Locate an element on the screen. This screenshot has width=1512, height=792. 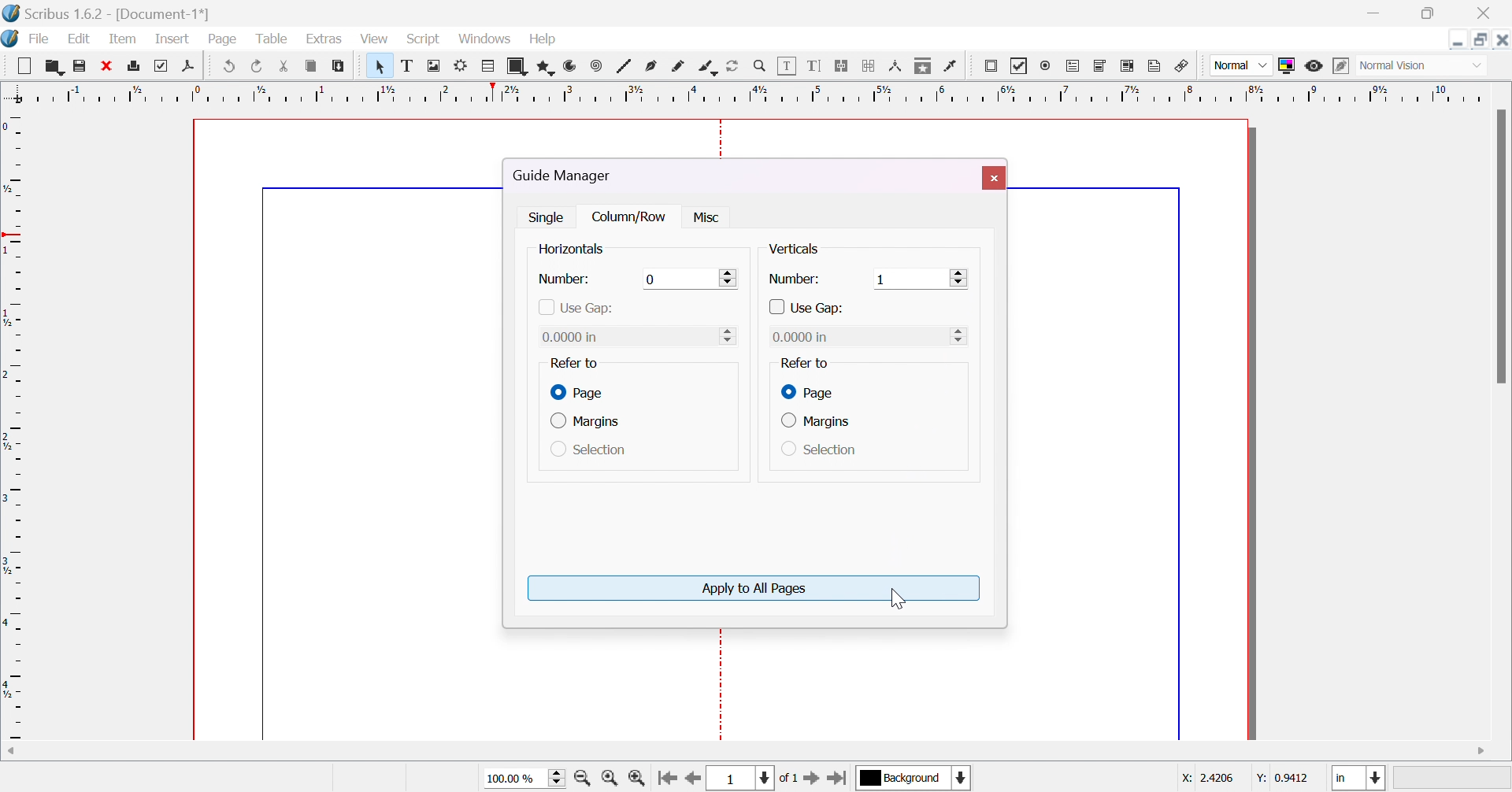
insert is located at coordinates (169, 38).